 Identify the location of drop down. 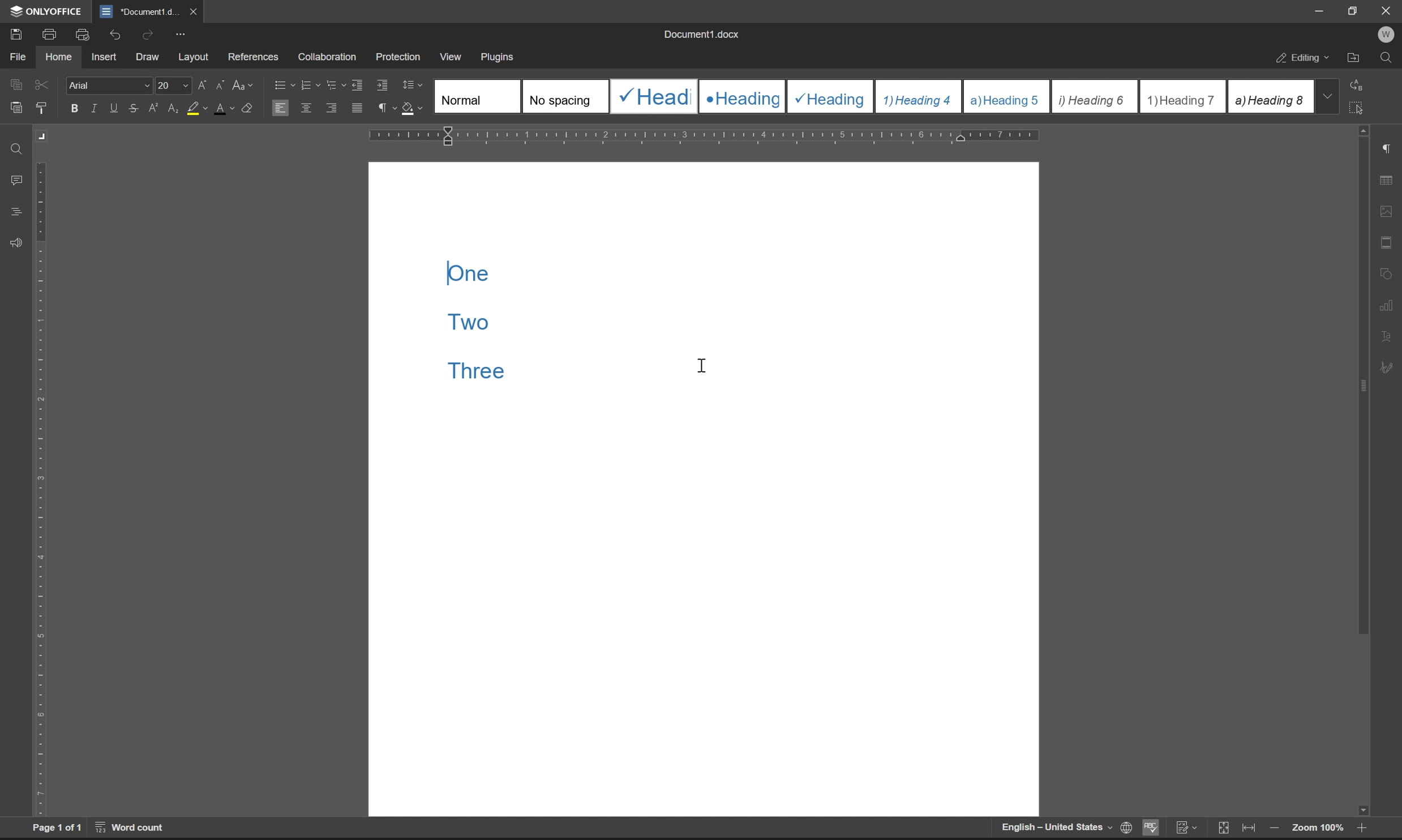
(1327, 96).